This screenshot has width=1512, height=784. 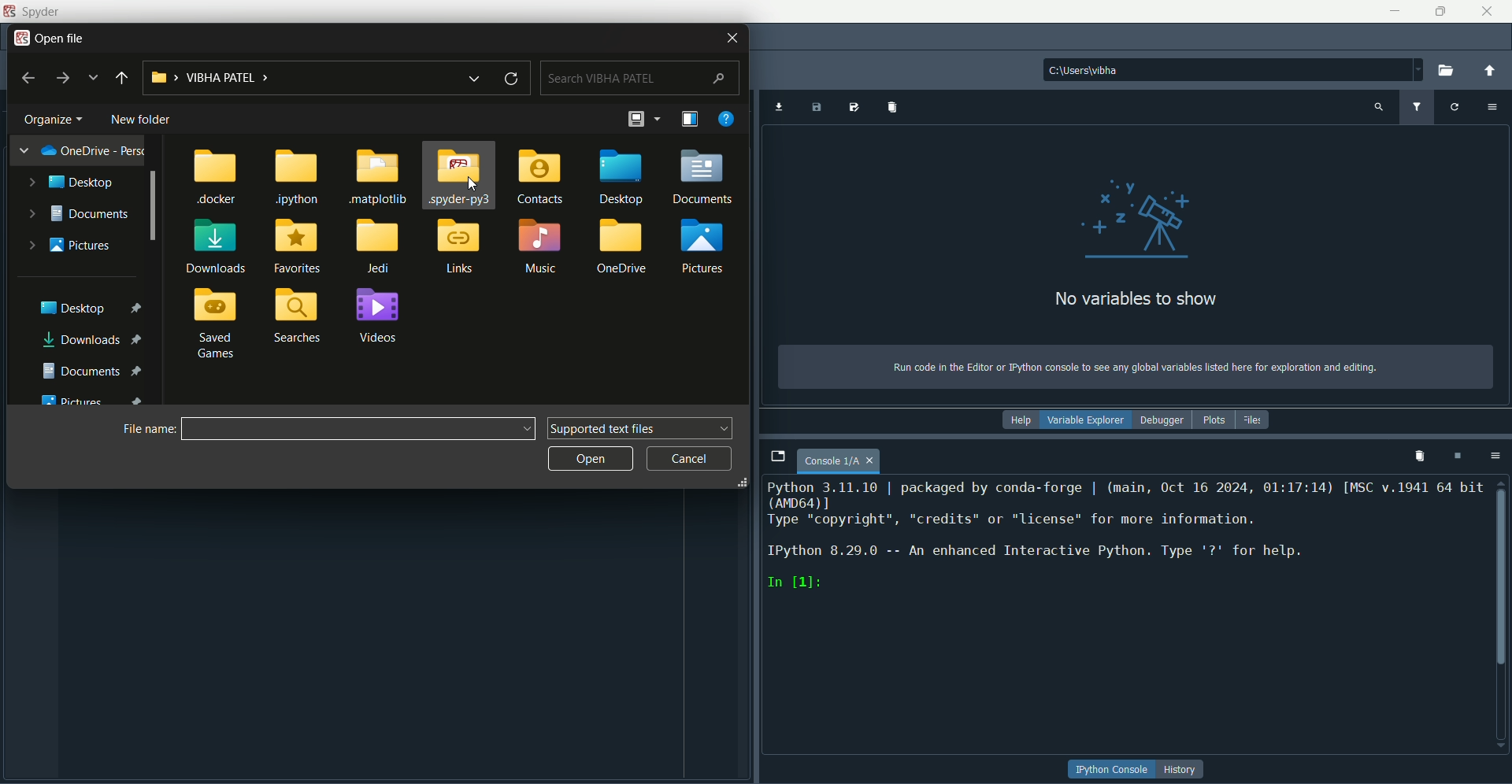 What do you see at coordinates (513, 77) in the screenshot?
I see `refresh` at bounding box center [513, 77].